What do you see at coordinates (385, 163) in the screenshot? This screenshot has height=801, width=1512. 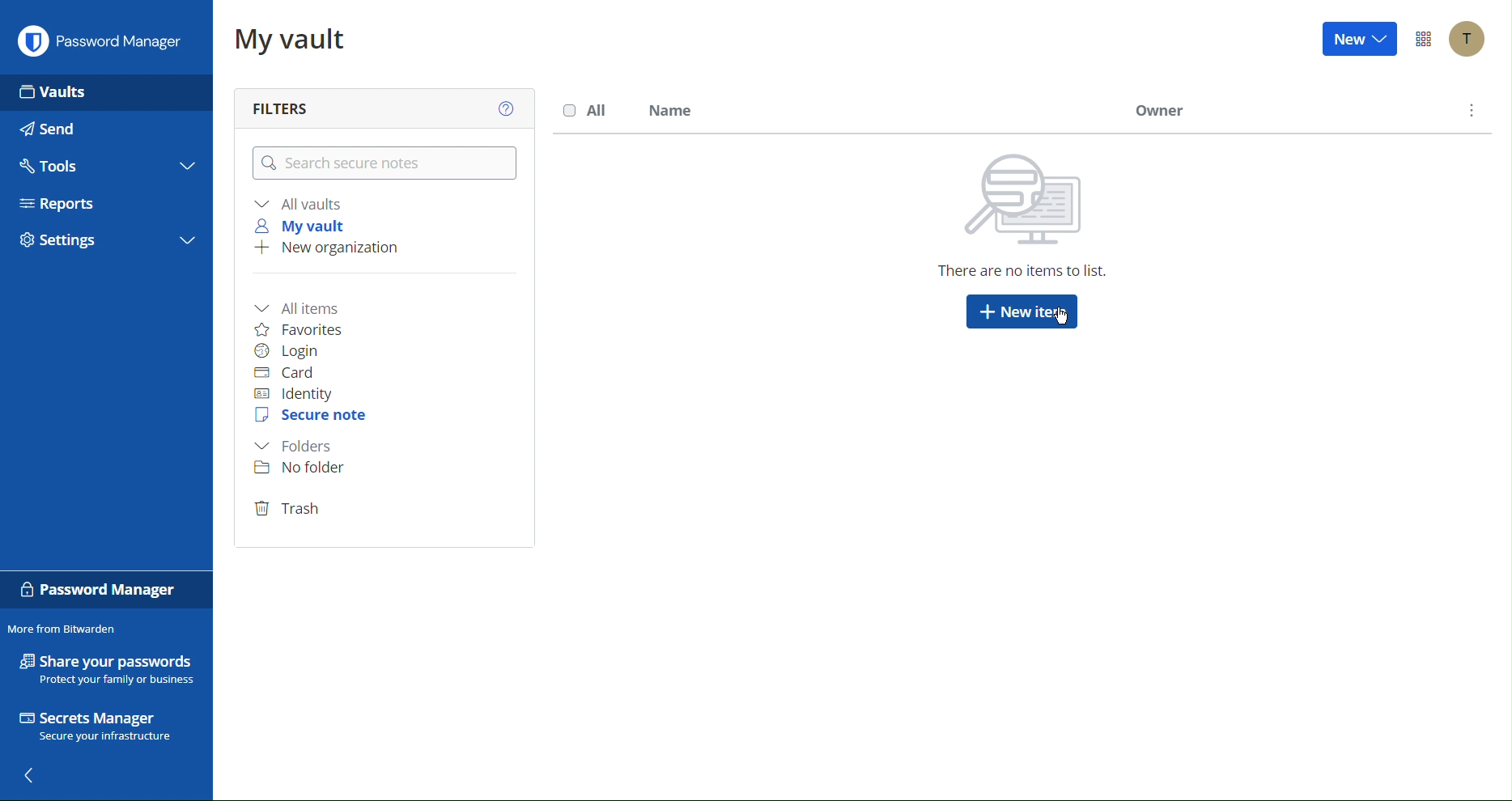 I see `Search logins` at bounding box center [385, 163].